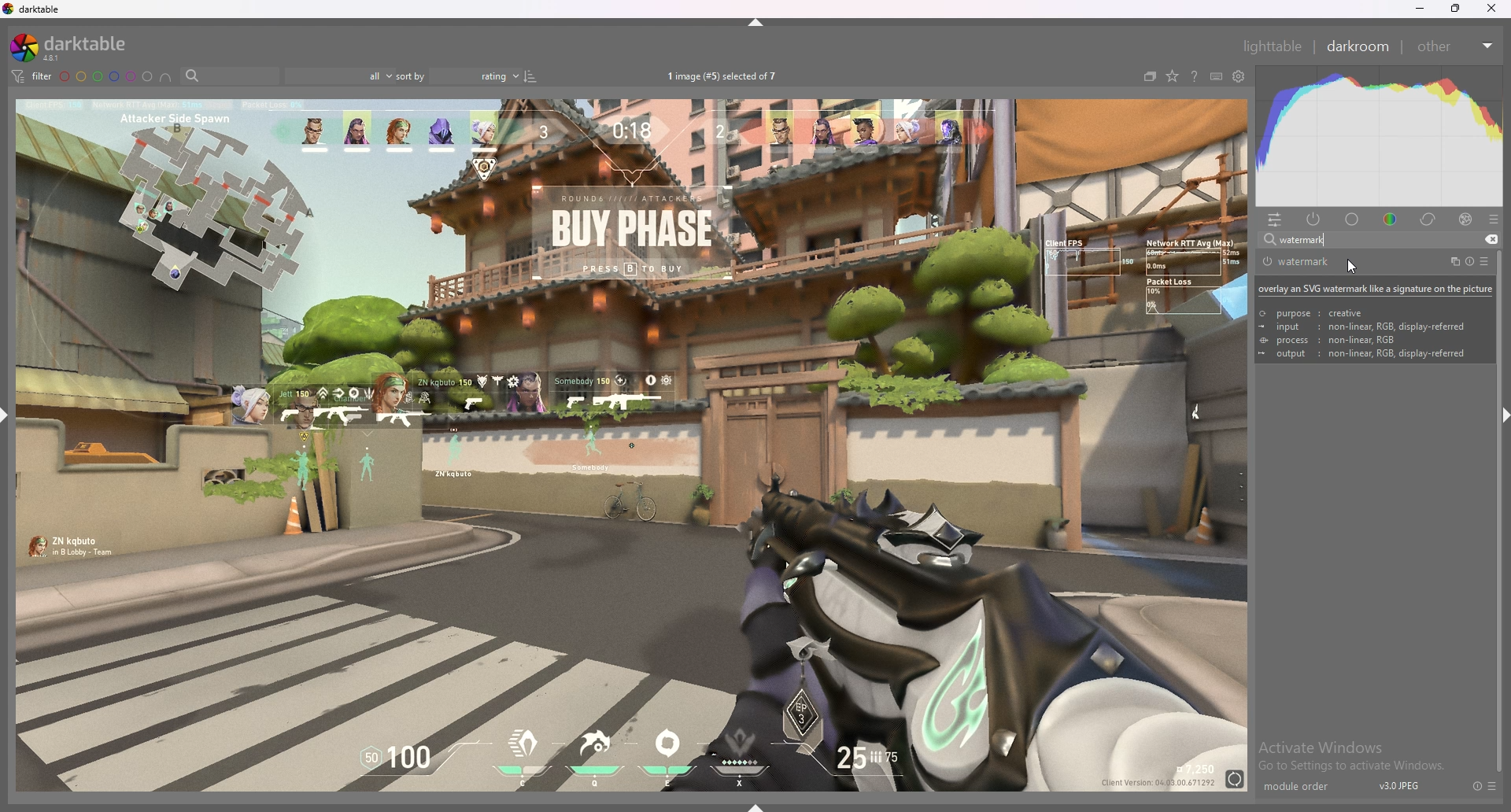  What do you see at coordinates (1216, 77) in the screenshot?
I see `keyboard shortcut` at bounding box center [1216, 77].